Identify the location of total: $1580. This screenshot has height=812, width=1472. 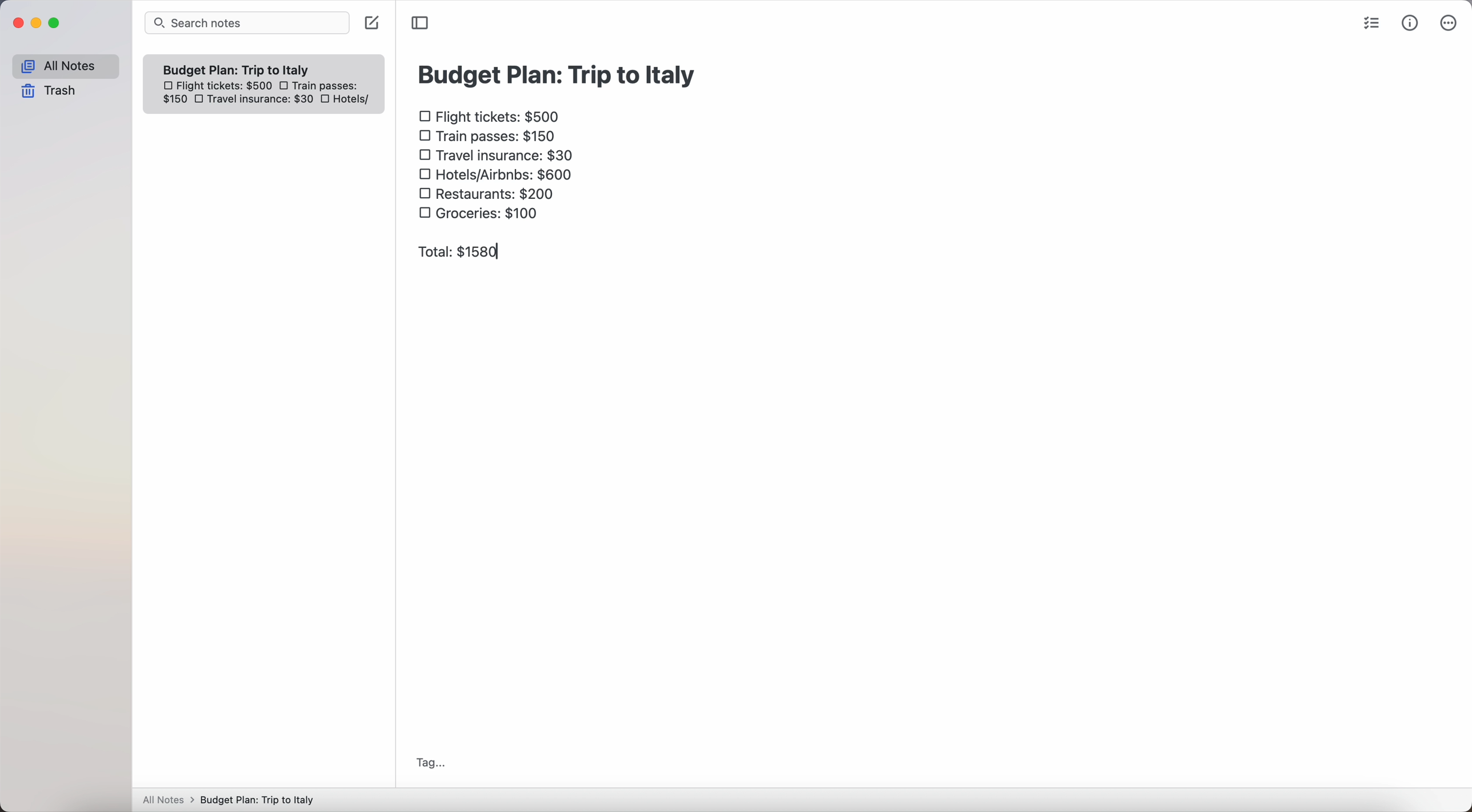
(462, 252).